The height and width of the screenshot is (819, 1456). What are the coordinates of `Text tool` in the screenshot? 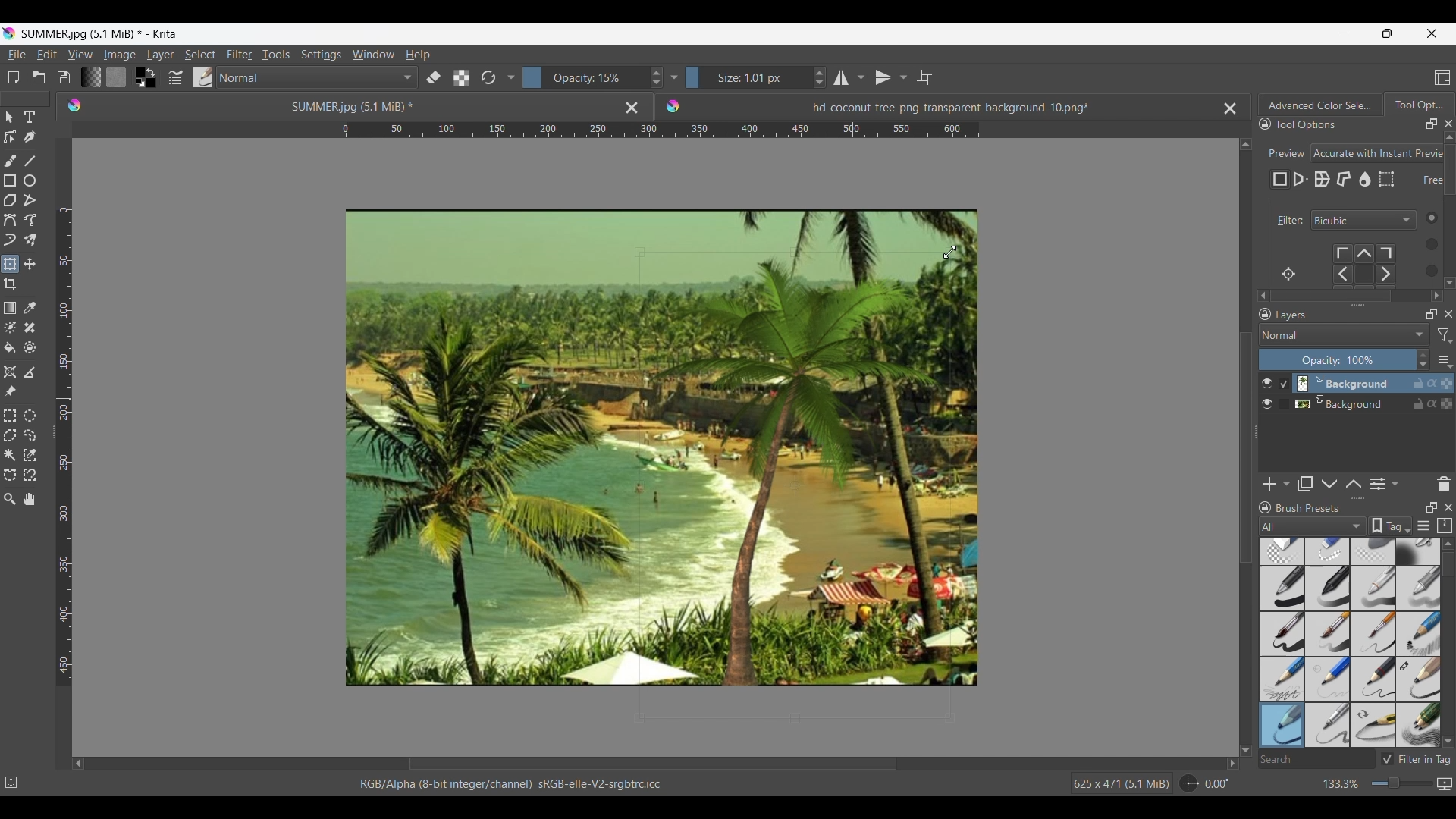 It's located at (29, 118).